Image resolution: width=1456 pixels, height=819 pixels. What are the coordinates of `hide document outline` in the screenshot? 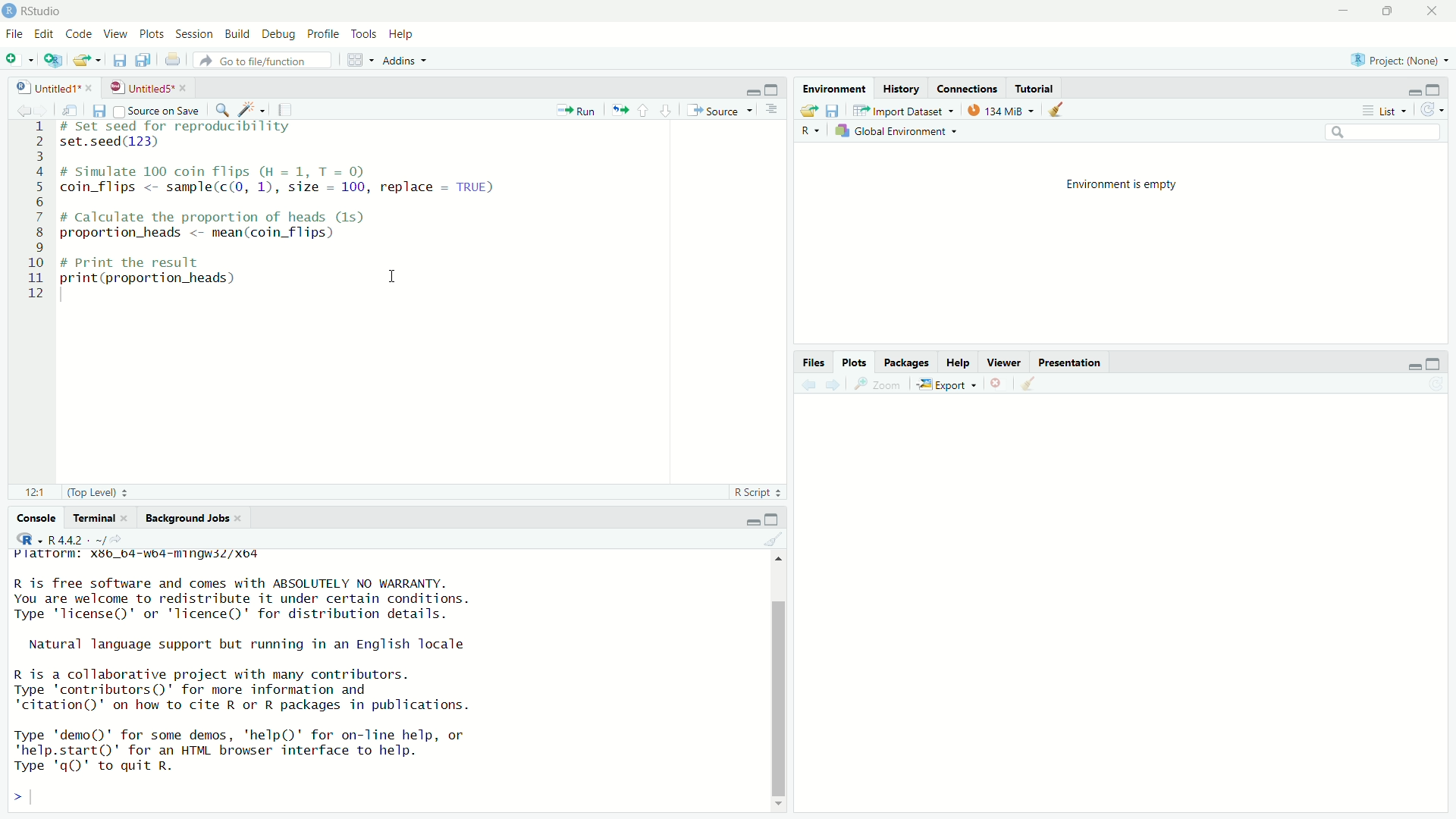 It's located at (776, 110).